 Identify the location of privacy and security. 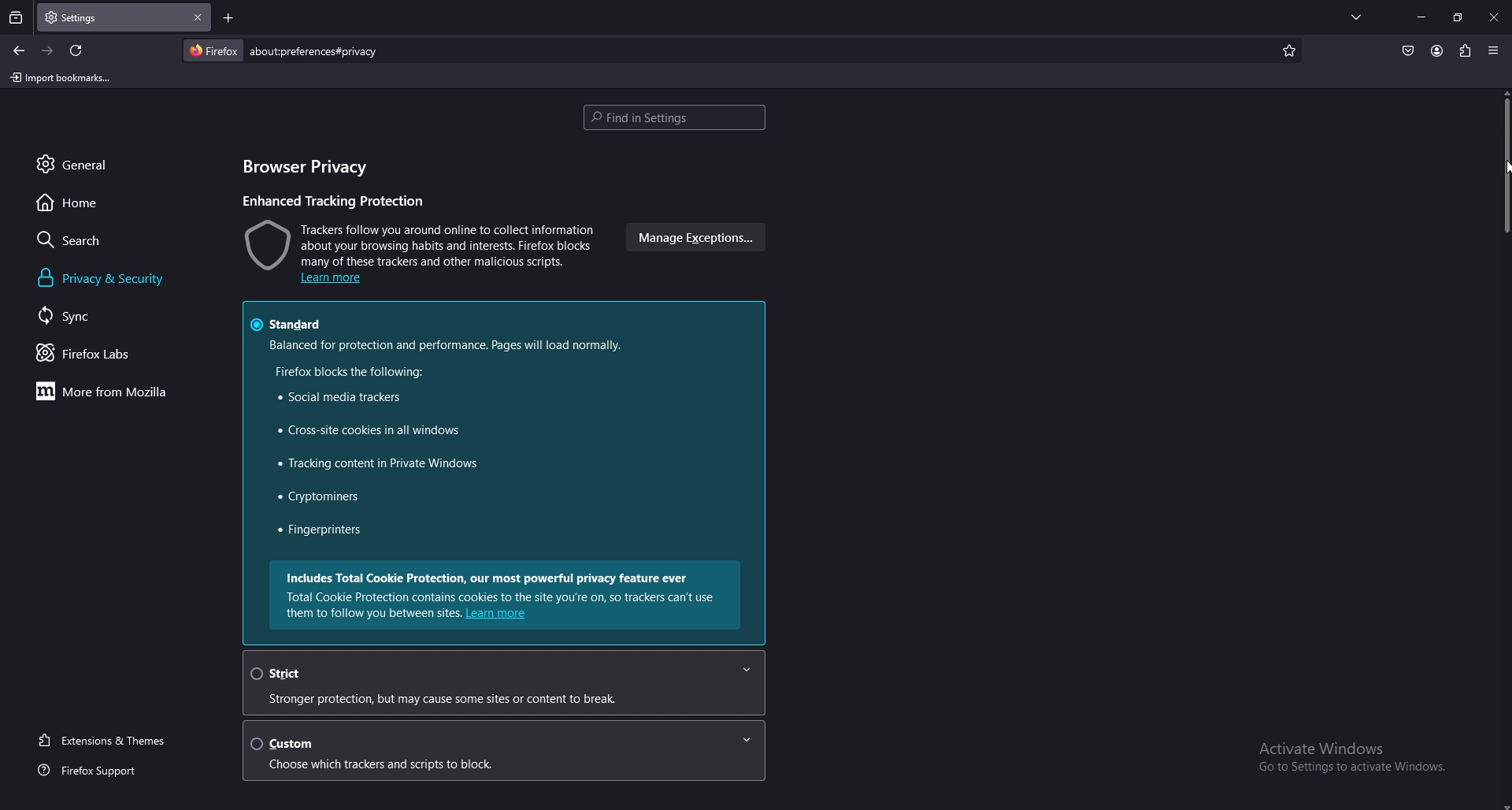
(128, 278).